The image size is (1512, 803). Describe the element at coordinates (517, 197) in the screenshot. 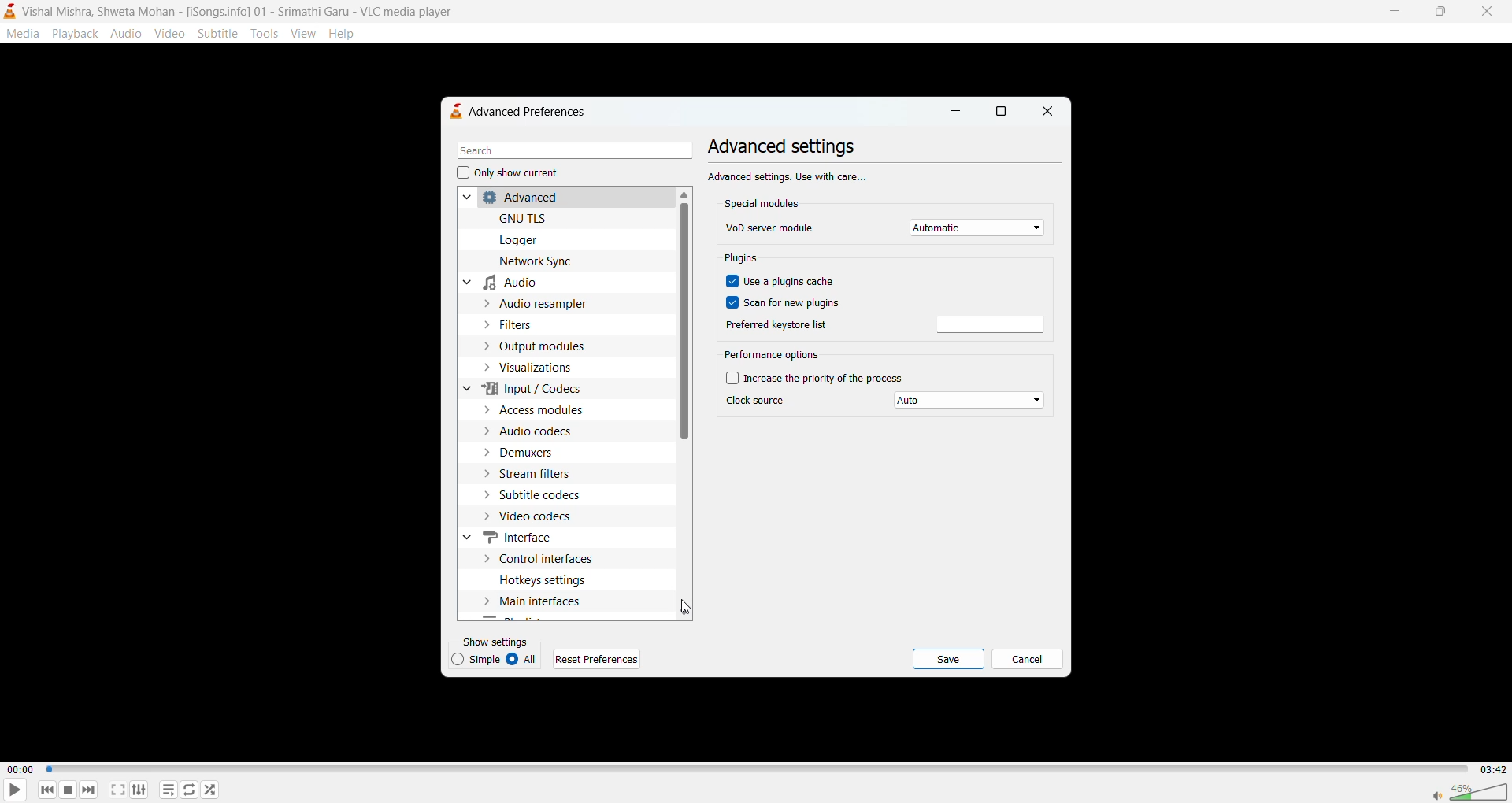

I see `advanced` at that location.